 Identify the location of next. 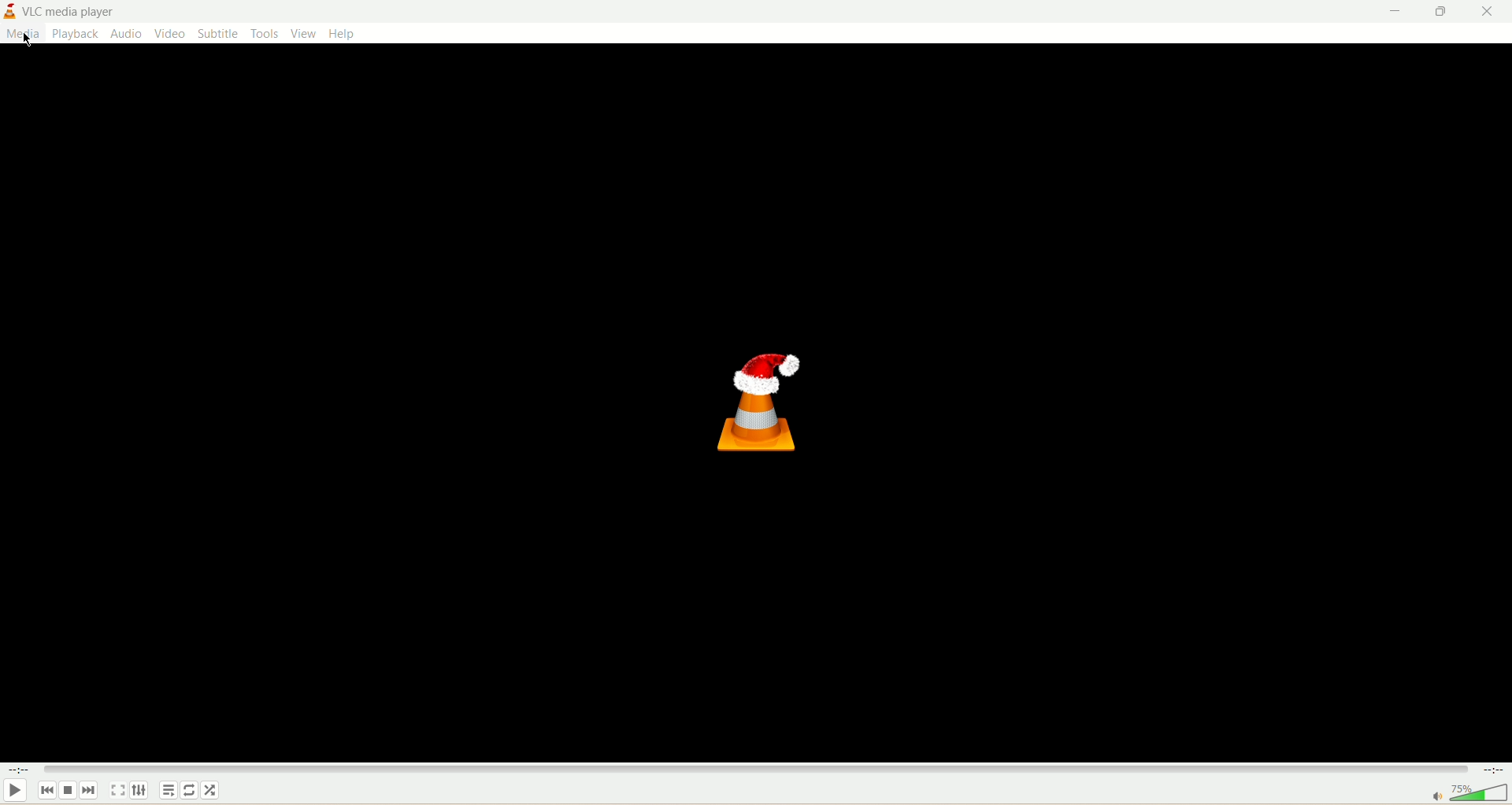
(90, 791).